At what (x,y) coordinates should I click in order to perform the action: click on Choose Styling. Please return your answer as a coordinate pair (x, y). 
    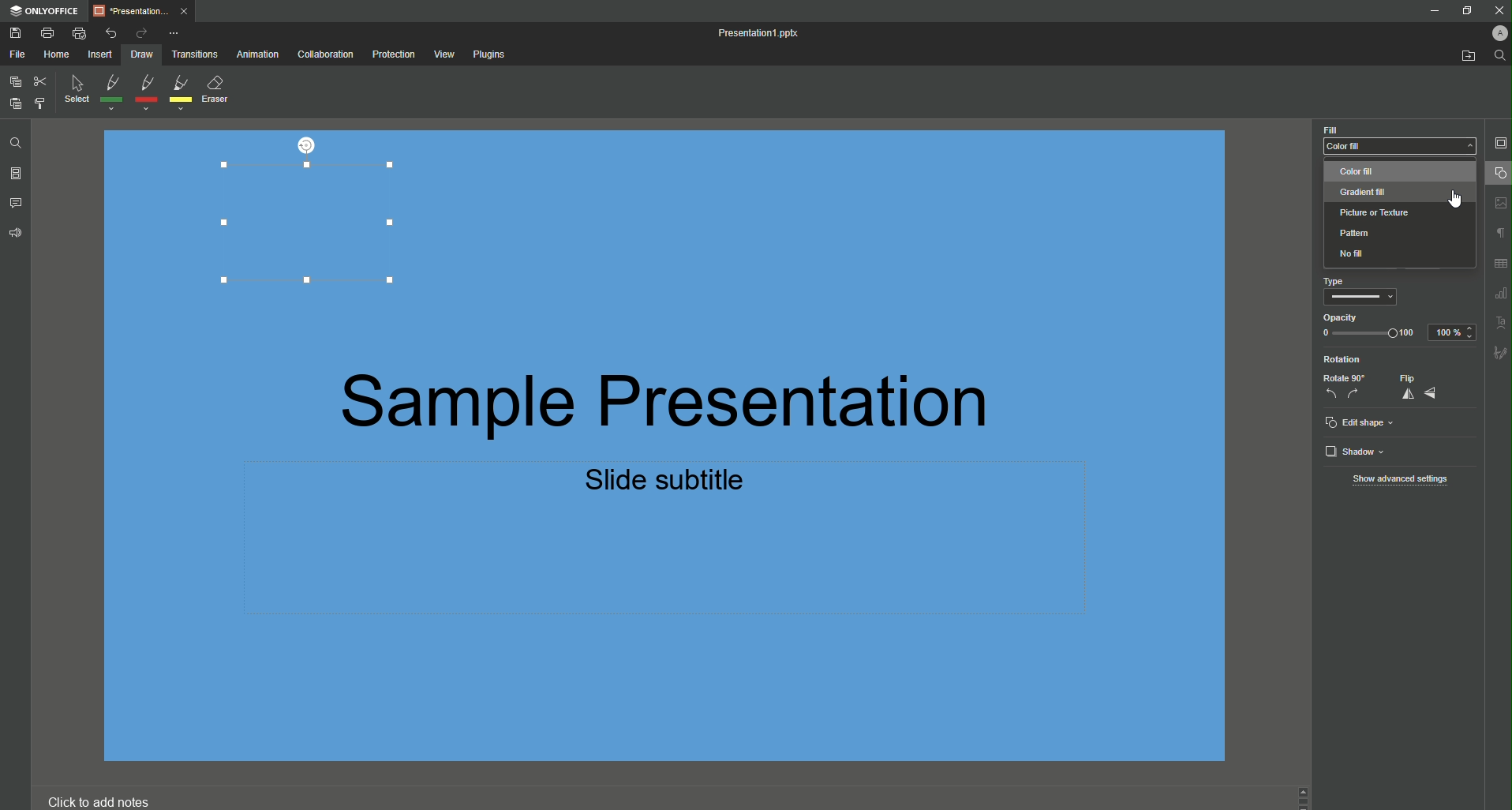
    Looking at the image, I should click on (39, 103).